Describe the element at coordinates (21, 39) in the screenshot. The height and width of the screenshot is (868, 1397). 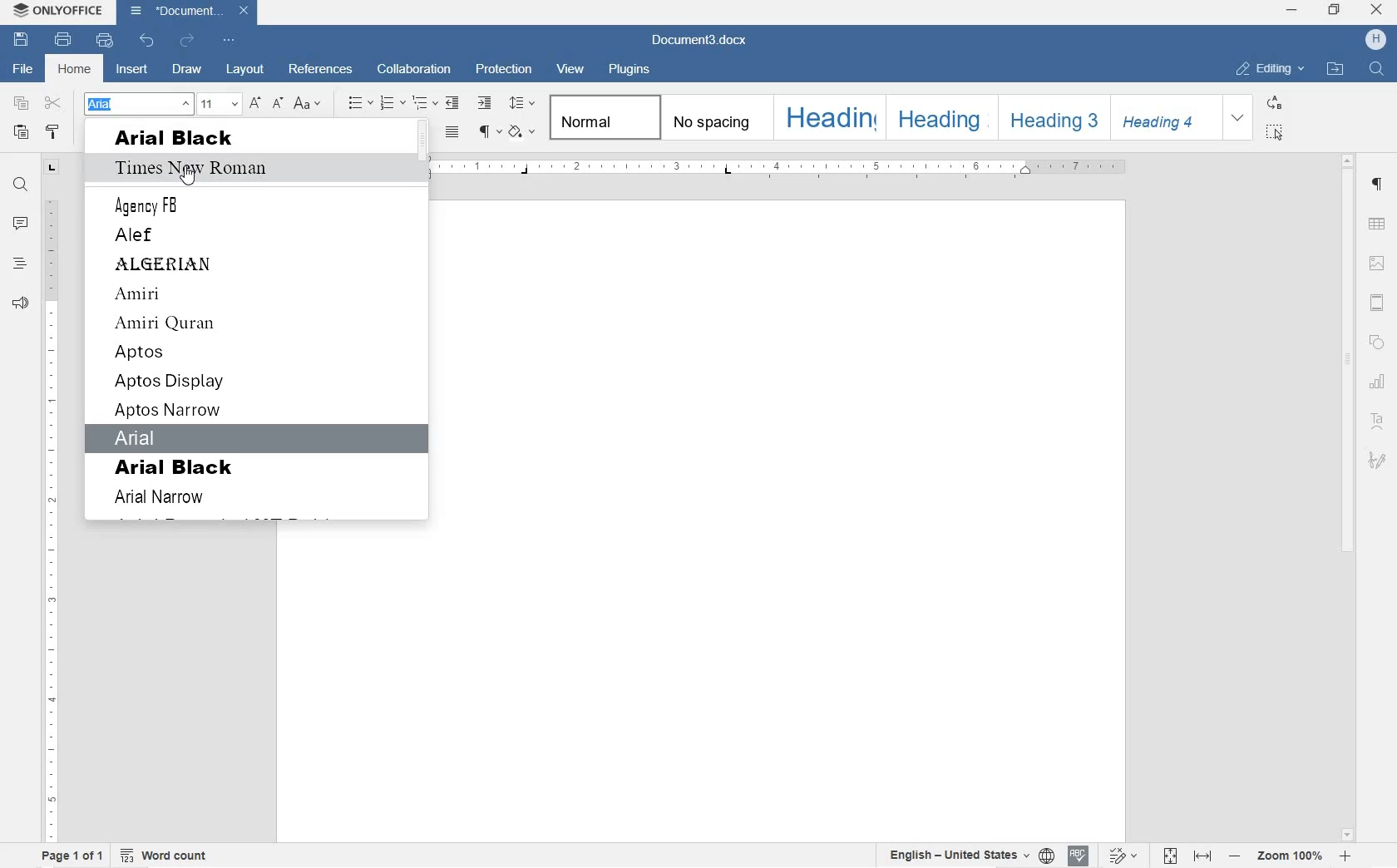
I see `SAVE` at that location.